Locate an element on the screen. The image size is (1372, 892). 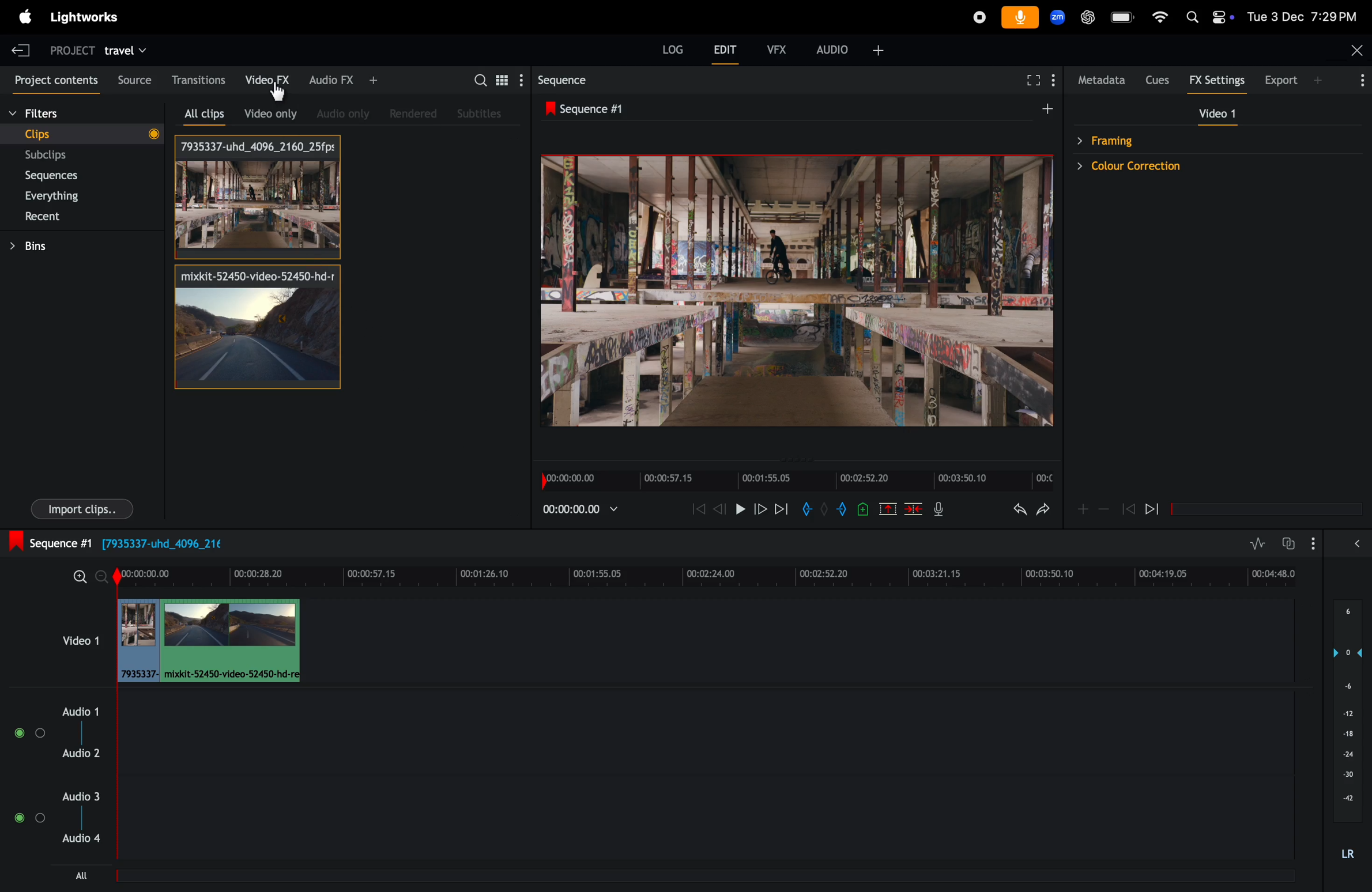
zoom out is located at coordinates (80, 577).